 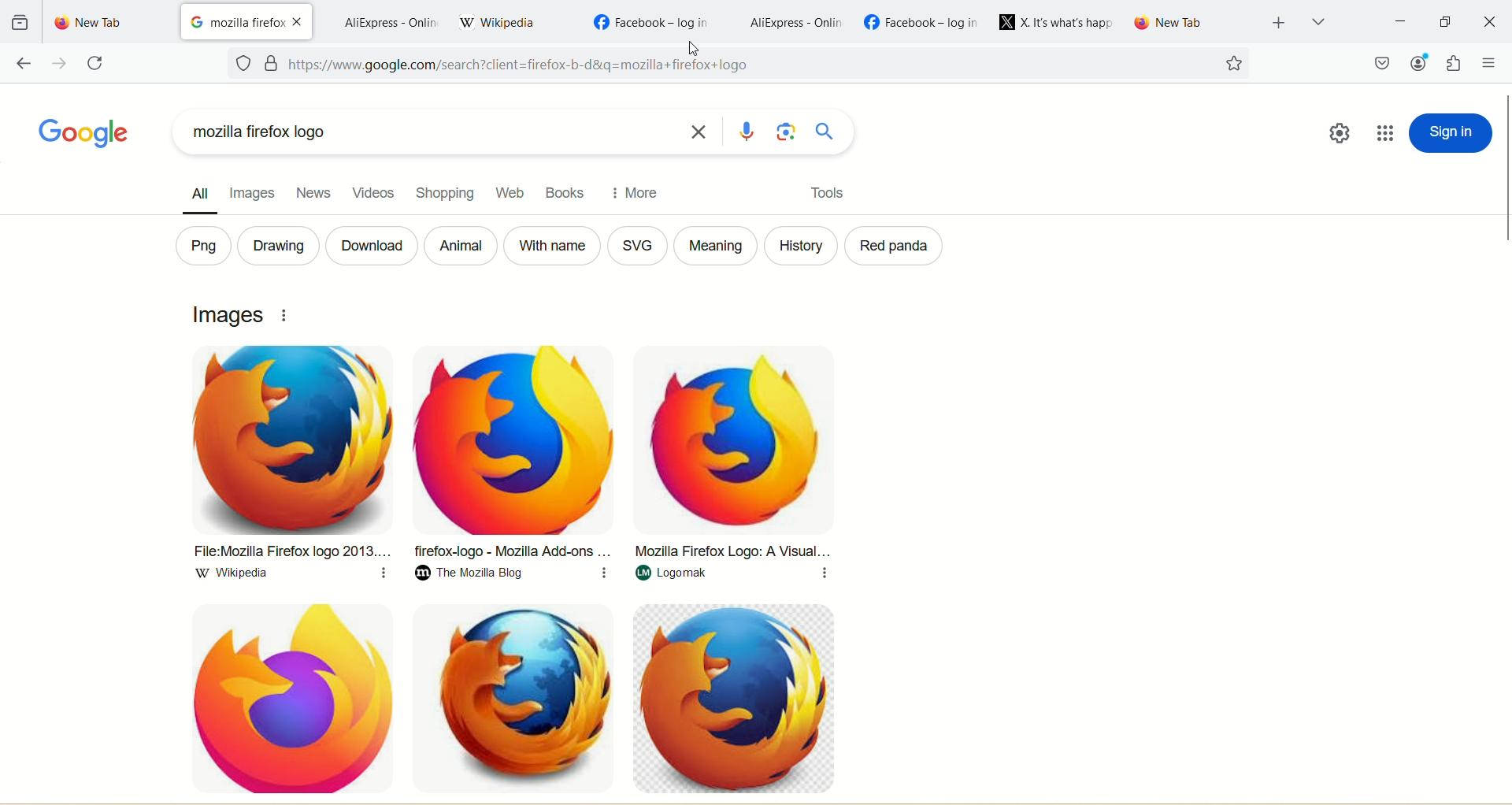 I want to click on File: Mozila Firefox logo 2013 Wikipedia, so click(x=287, y=553).